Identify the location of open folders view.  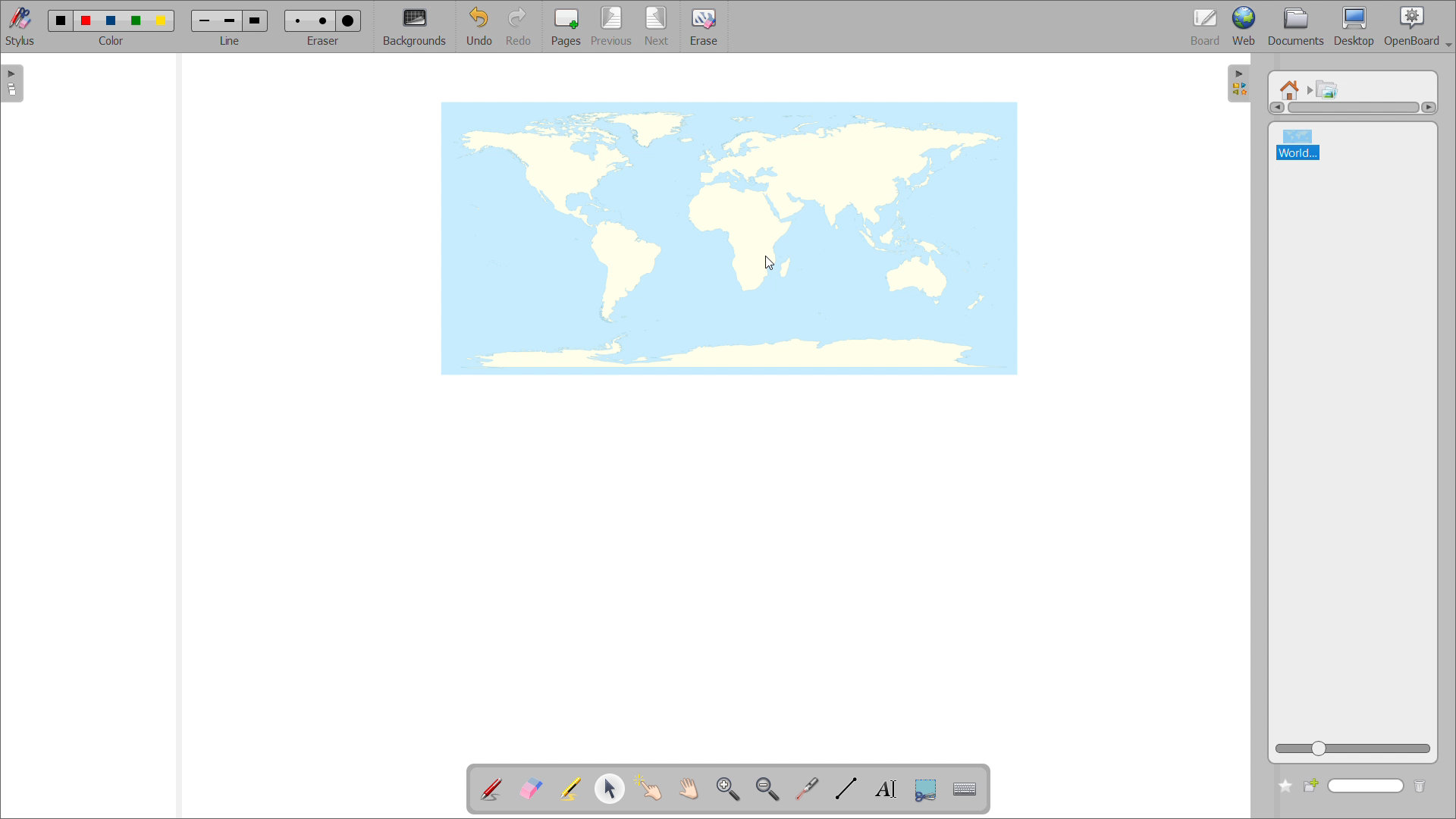
(1238, 83).